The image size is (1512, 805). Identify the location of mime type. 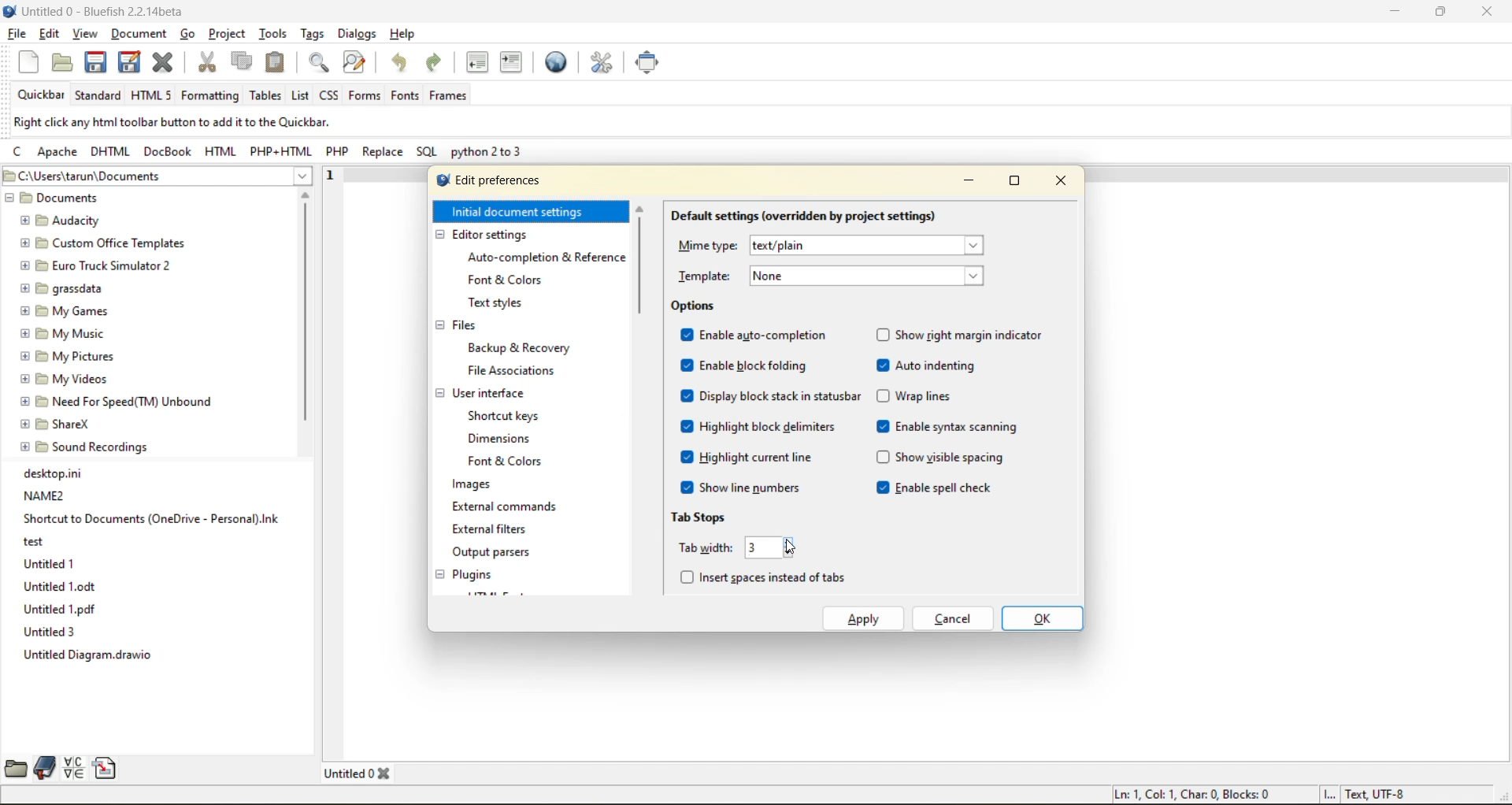
(841, 244).